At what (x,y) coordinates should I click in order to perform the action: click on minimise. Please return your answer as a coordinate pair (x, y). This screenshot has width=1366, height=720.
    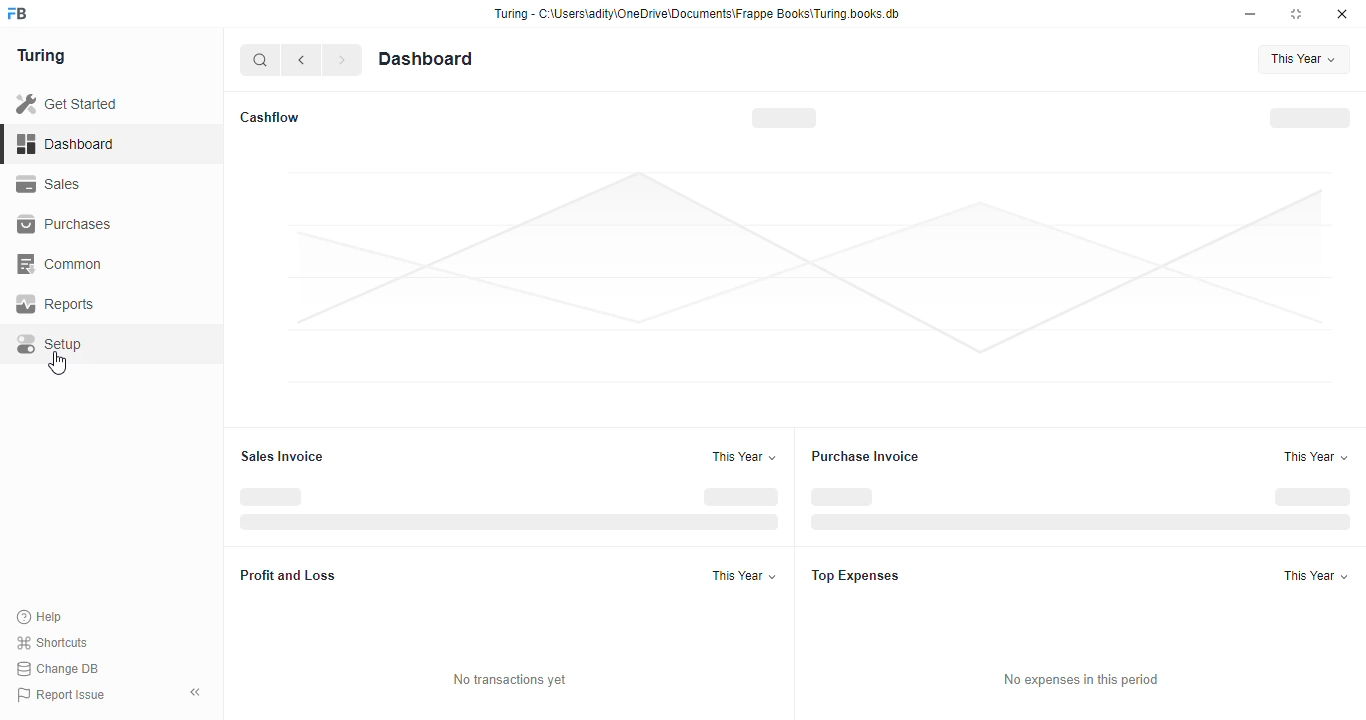
    Looking at the image, I should click on (1253, 13).